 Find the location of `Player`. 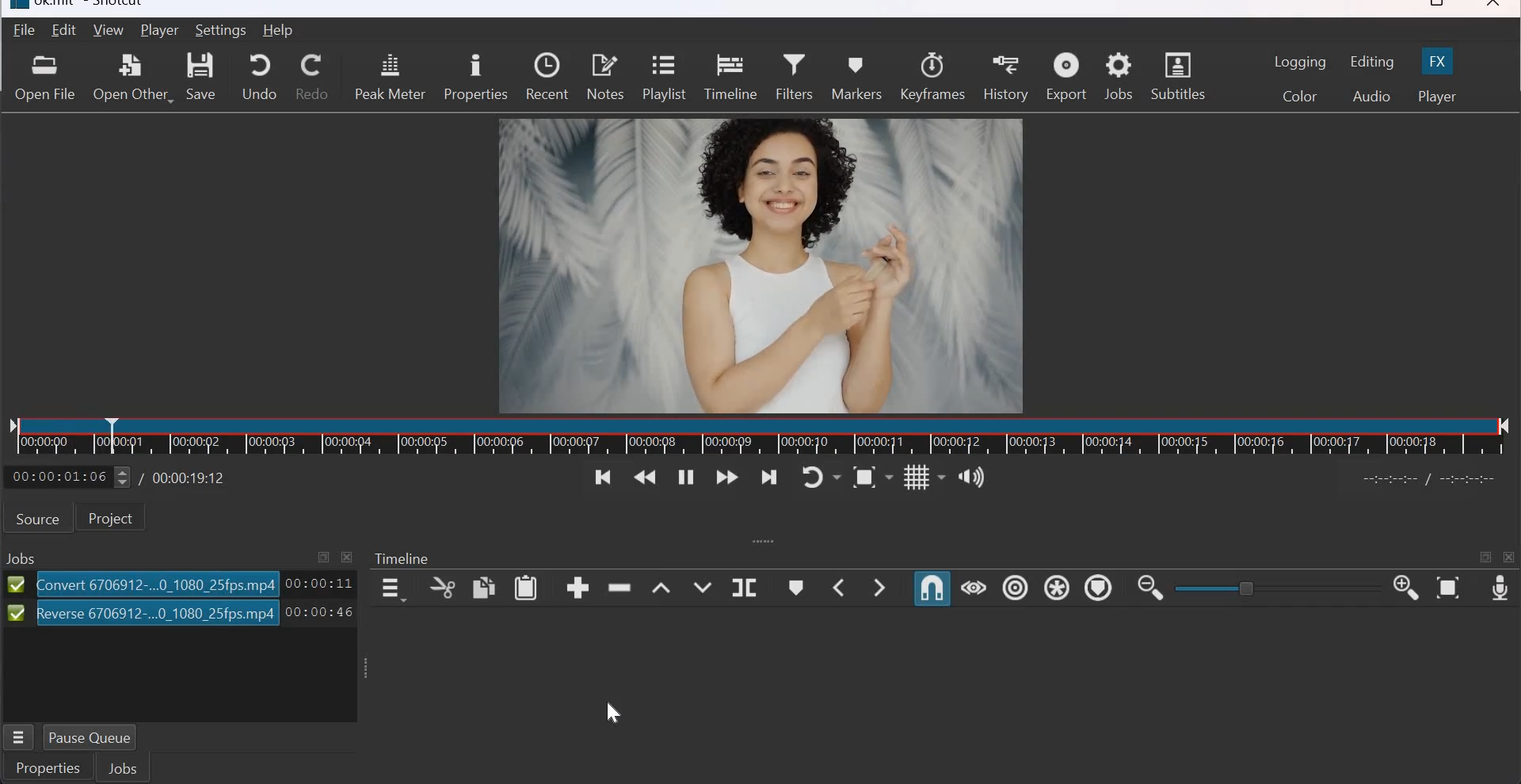

Player is located at coordinates (1437, 97).